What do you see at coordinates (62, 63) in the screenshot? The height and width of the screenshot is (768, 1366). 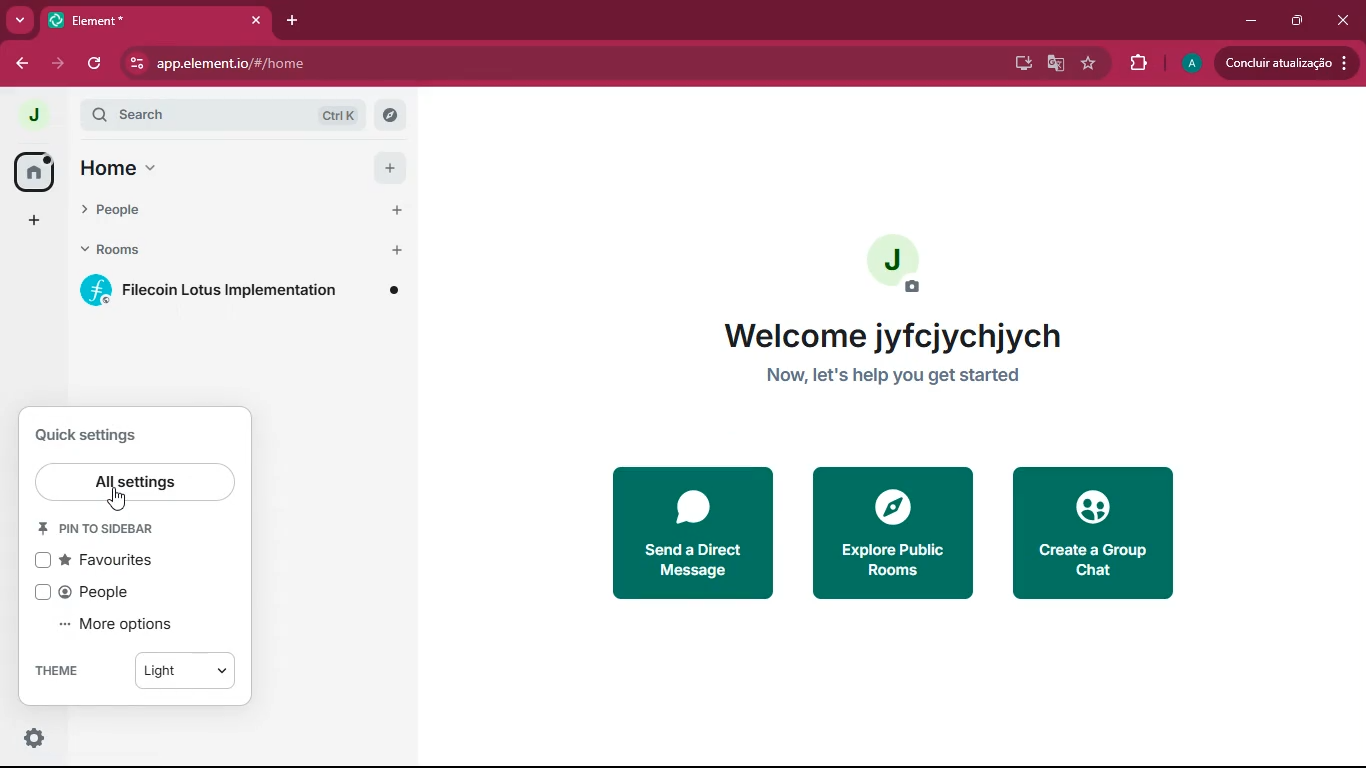 I see `forward` at bounding box center [62, 63].